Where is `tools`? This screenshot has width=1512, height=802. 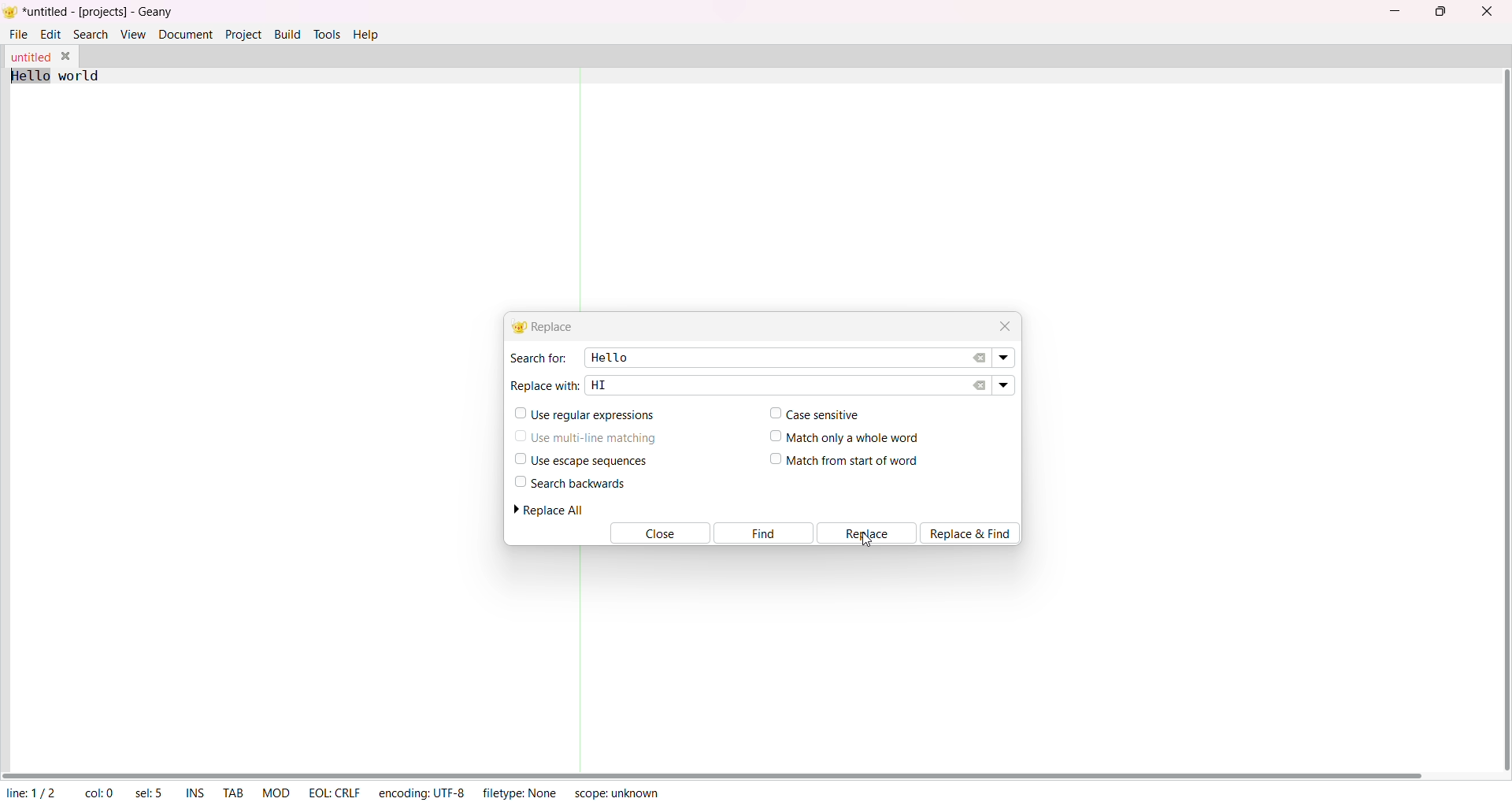
tools is located at coordinates (328, 33).